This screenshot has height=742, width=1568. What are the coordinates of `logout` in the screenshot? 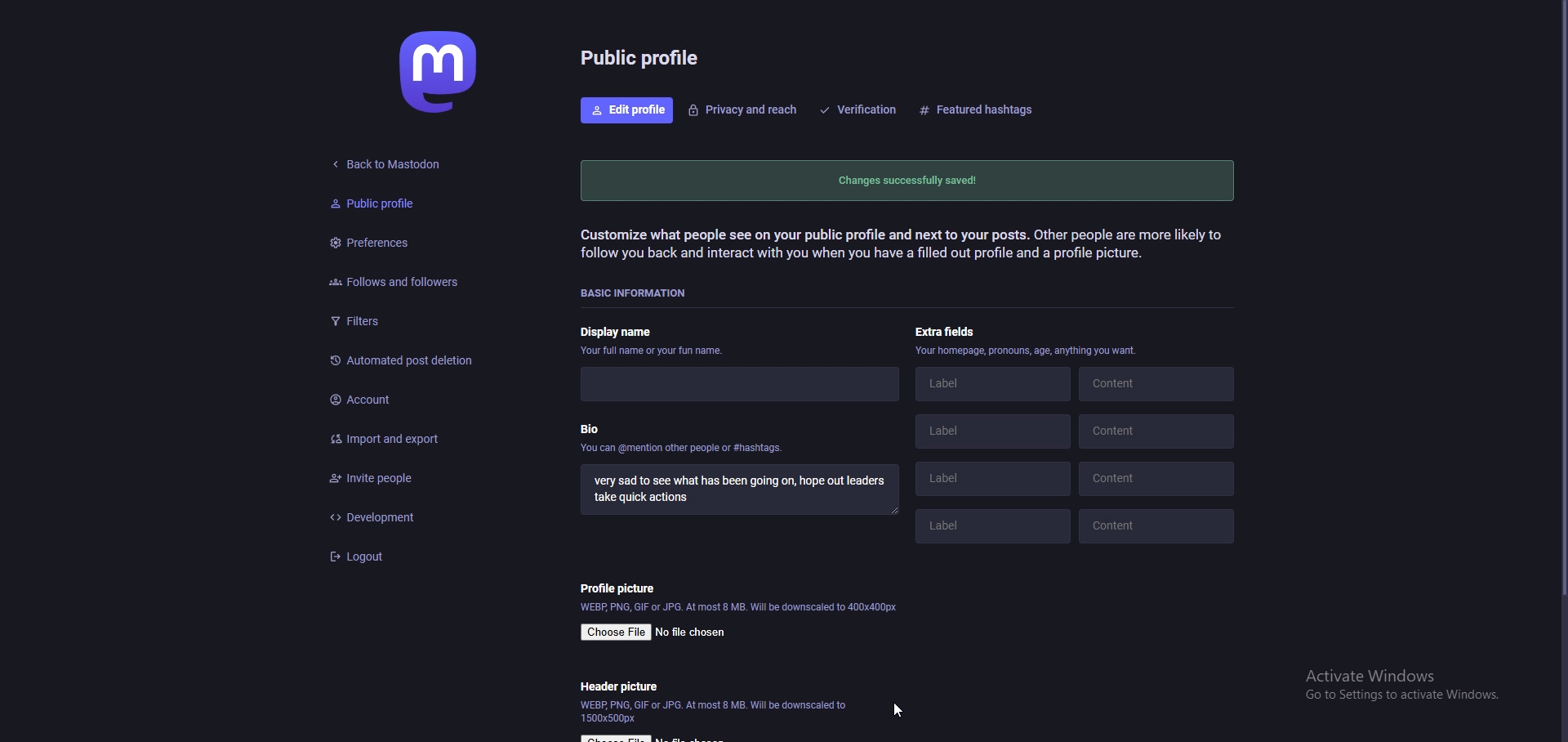 It's located at (404, 557).